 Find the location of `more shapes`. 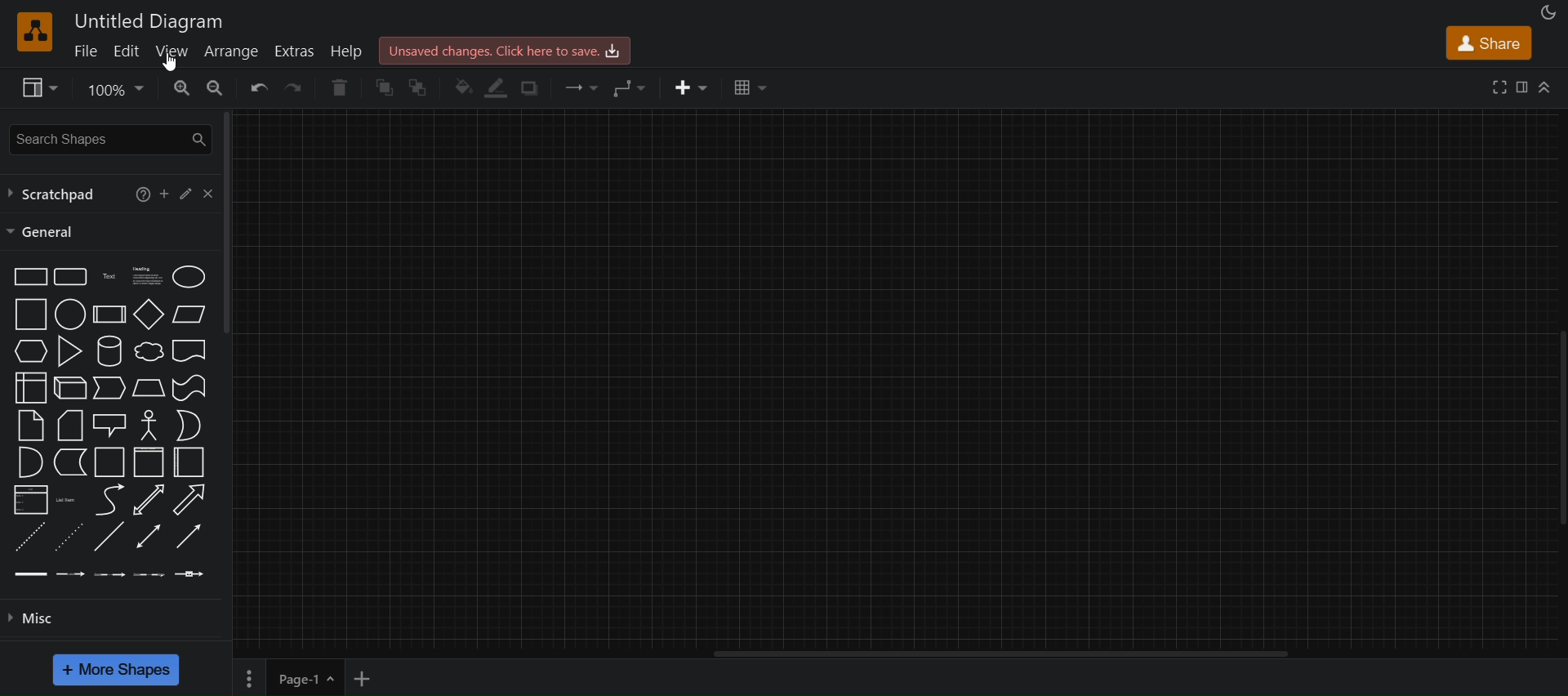

more shapes is located at coordinates (118, 669).